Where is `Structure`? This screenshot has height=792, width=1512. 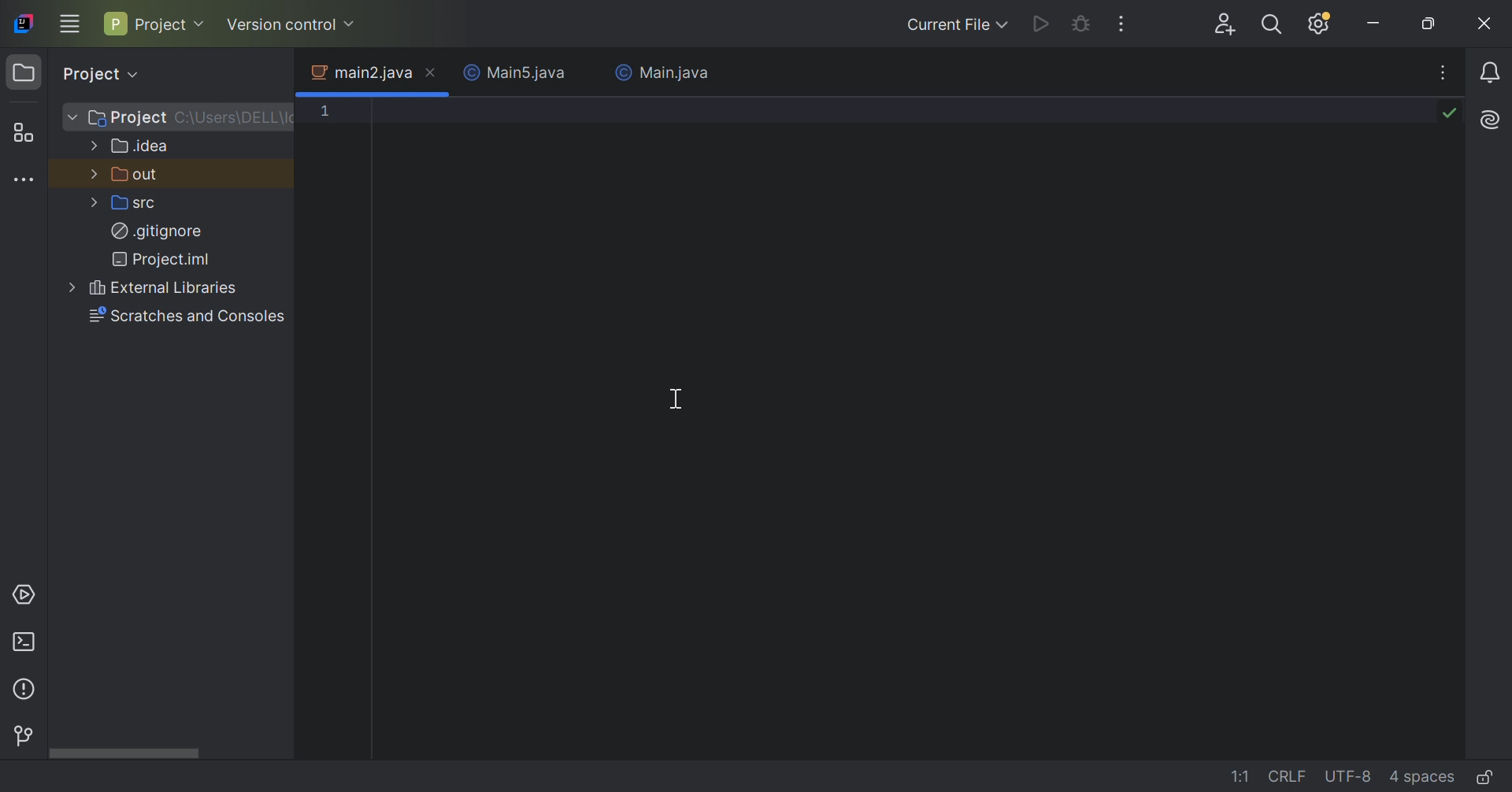 Structure is located at coordinates (31, 133).